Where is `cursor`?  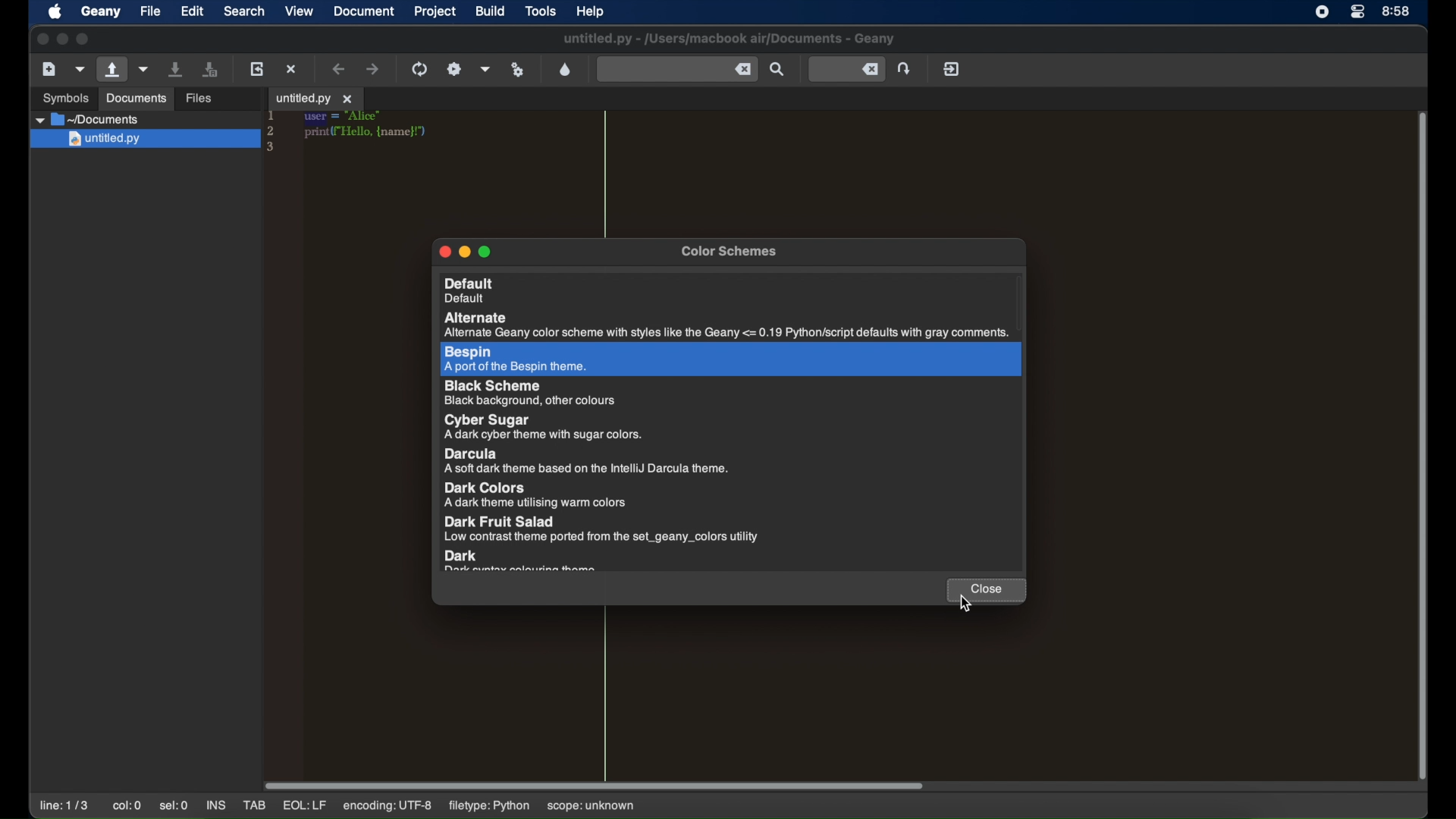 cursor is located at coordinates (969, 598).